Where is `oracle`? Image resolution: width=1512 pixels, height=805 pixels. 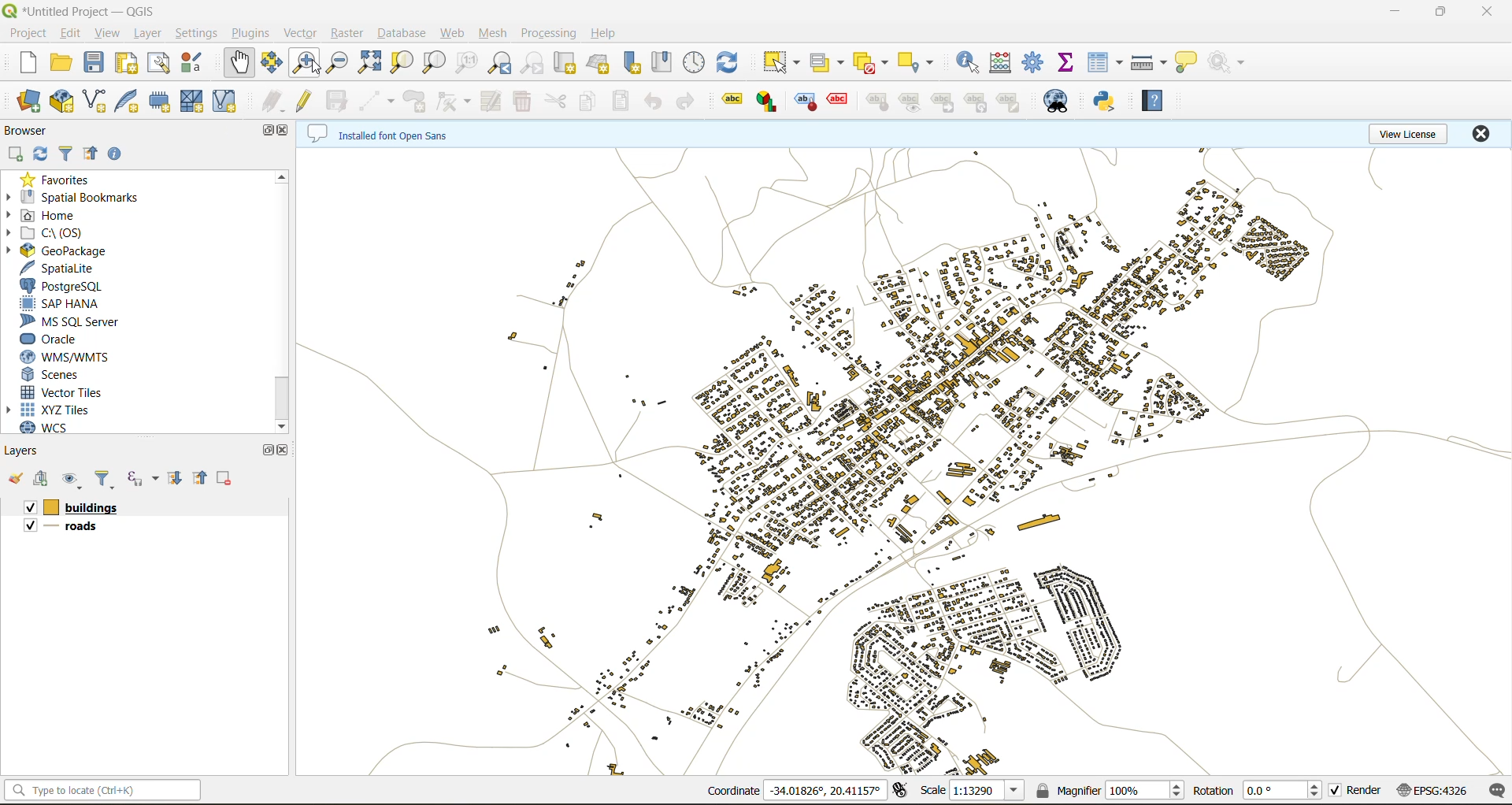 oracle is located at coordinates (59, 340).